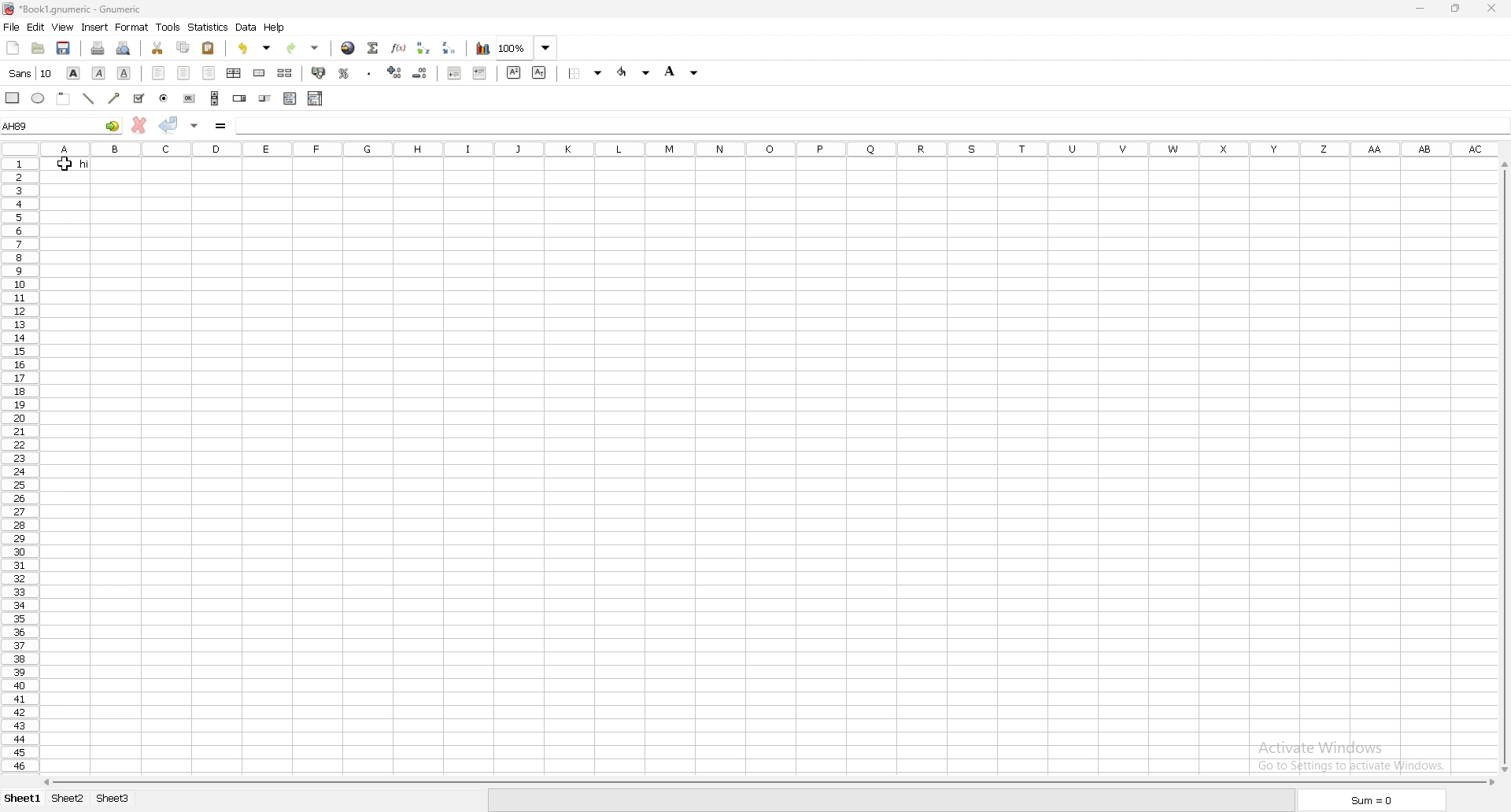 This screenshot has height=812, width=1511. Describe the element at coordinates (320, 72) in the screenshot. I see `accounting` at that location.